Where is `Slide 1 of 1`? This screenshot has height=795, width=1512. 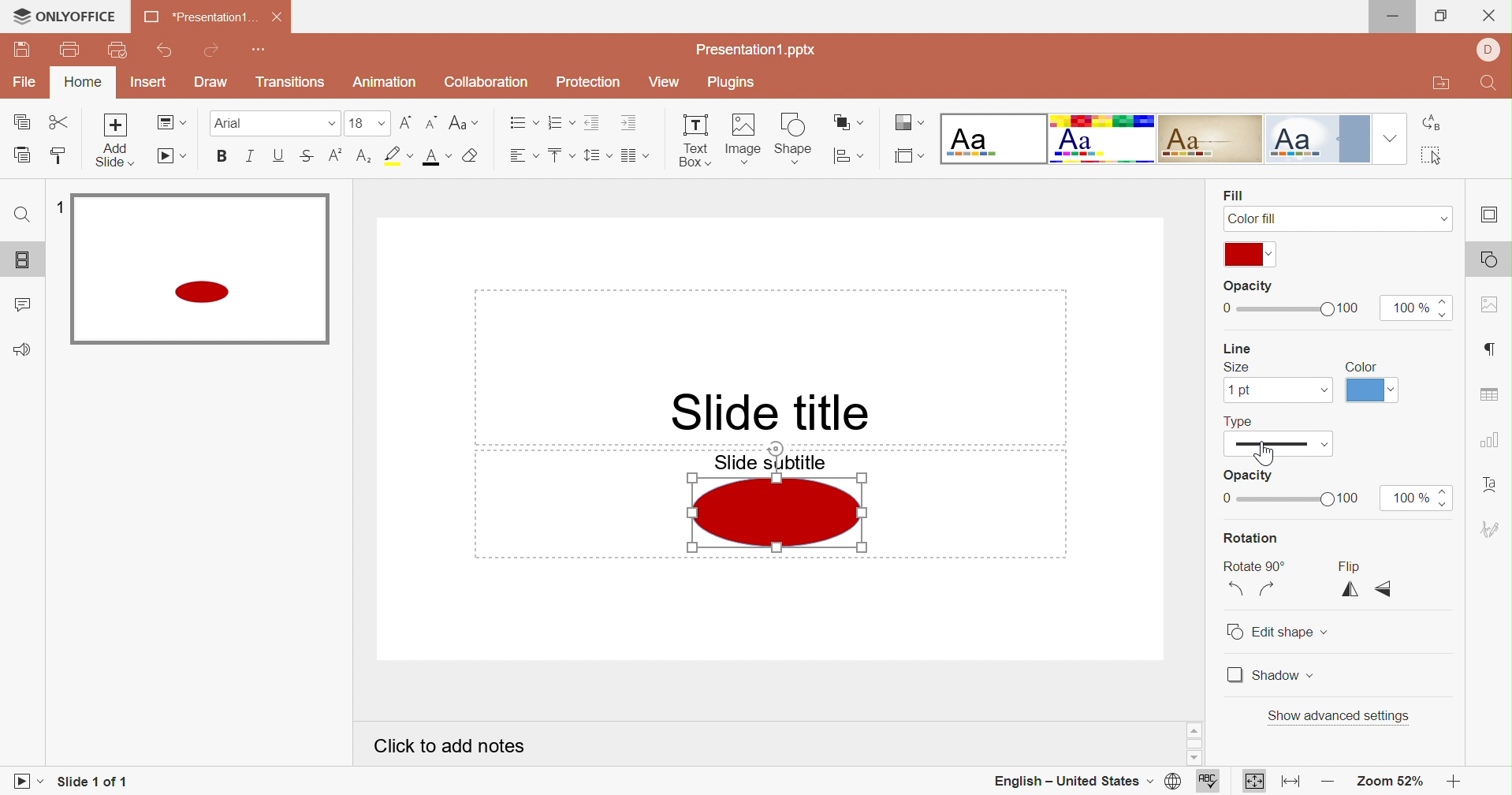 Slide 1 of 1 is located at coordinates (91, 780).